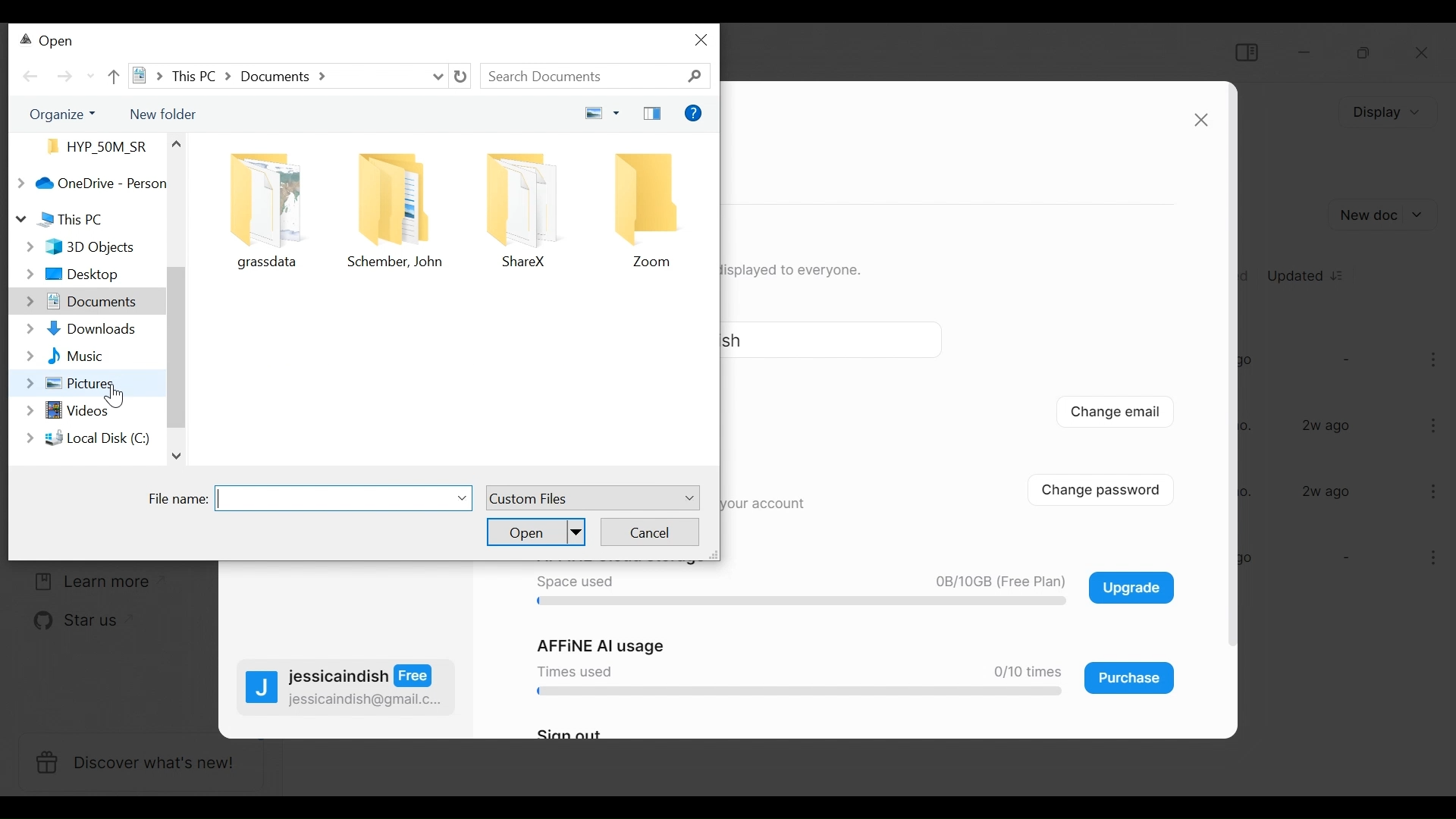 Image resolution: width=1456 pixels, height=819 pixels. I want to click on Custom Files, so click(591, 498).